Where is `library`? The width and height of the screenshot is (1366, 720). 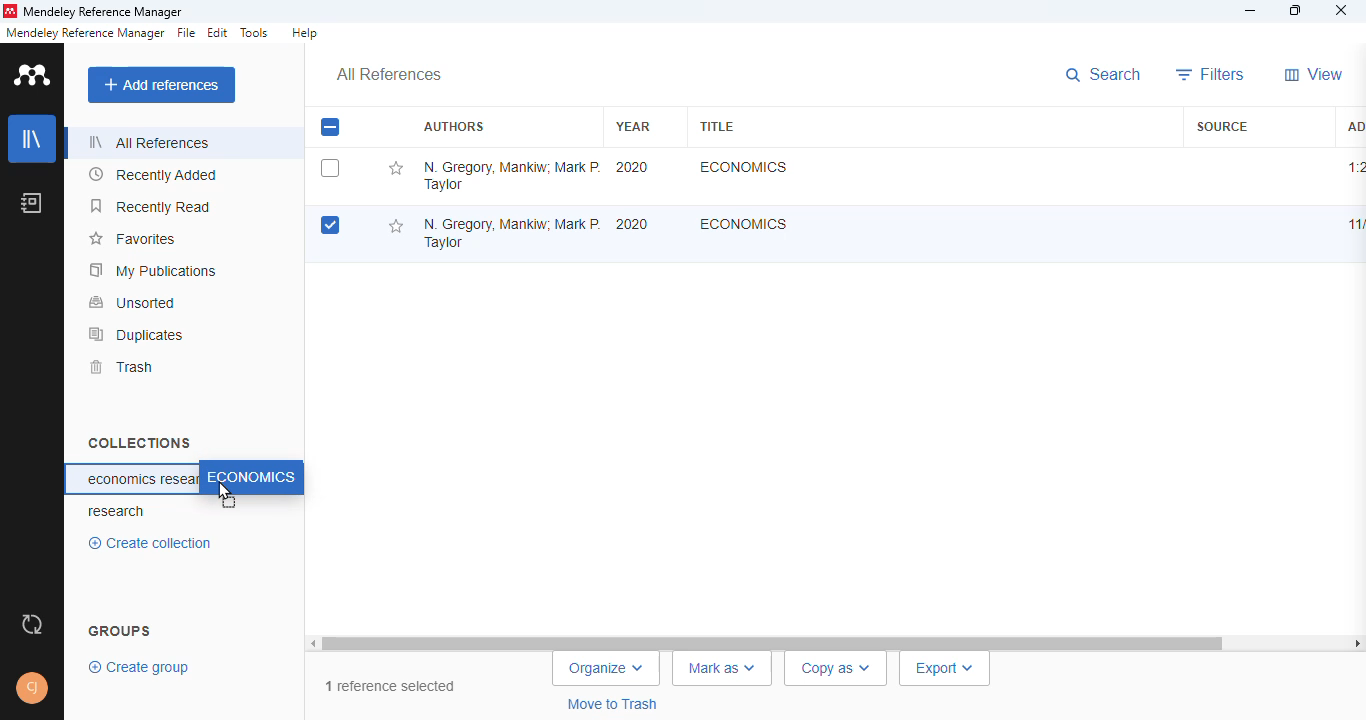 library is located at coordinates (33, 139).